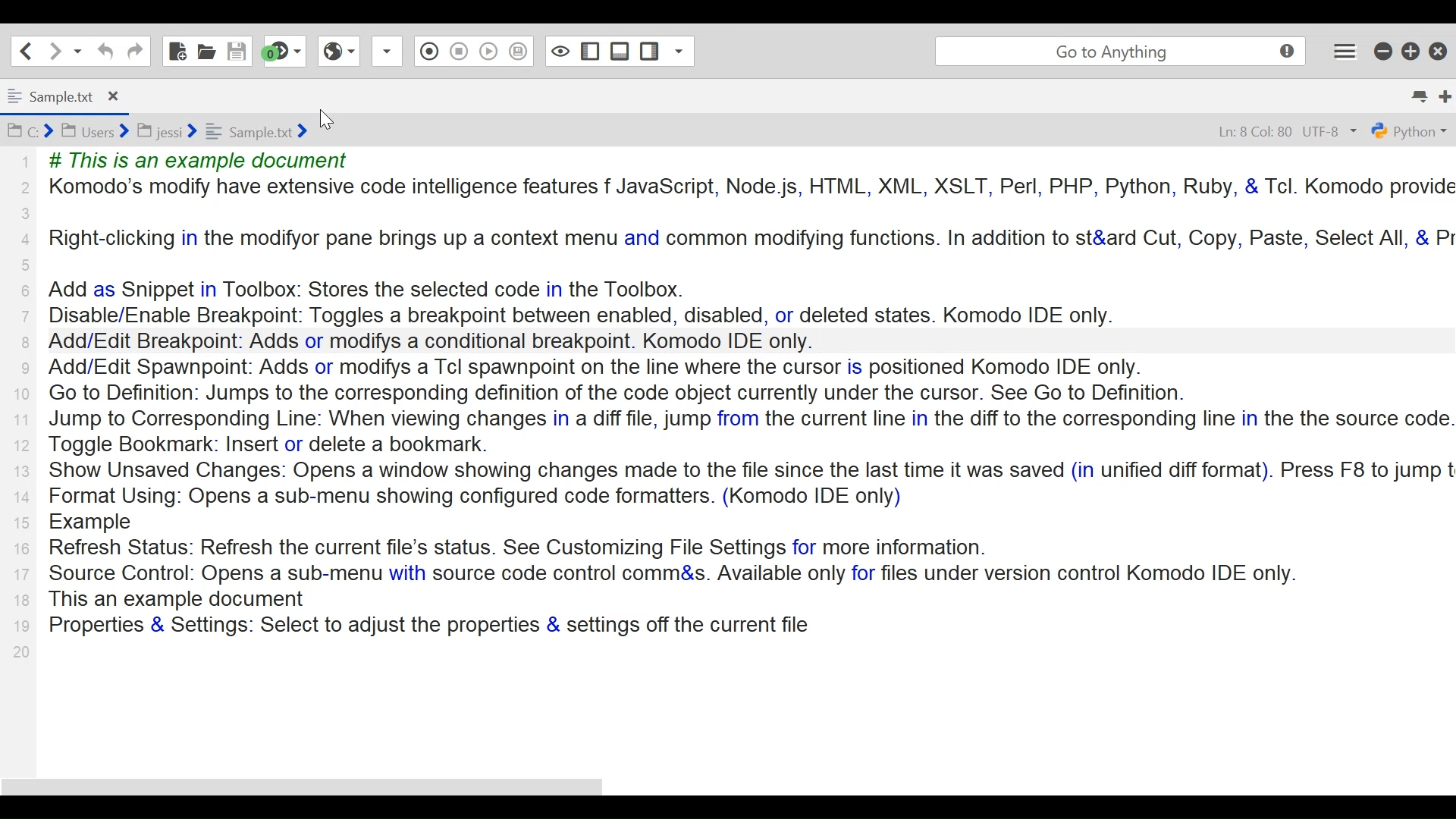 This screenshot has height=819, width=1456. Describe the element at coordinates (388, 52) in the screenshot. I see `Drop down Box` at that location.